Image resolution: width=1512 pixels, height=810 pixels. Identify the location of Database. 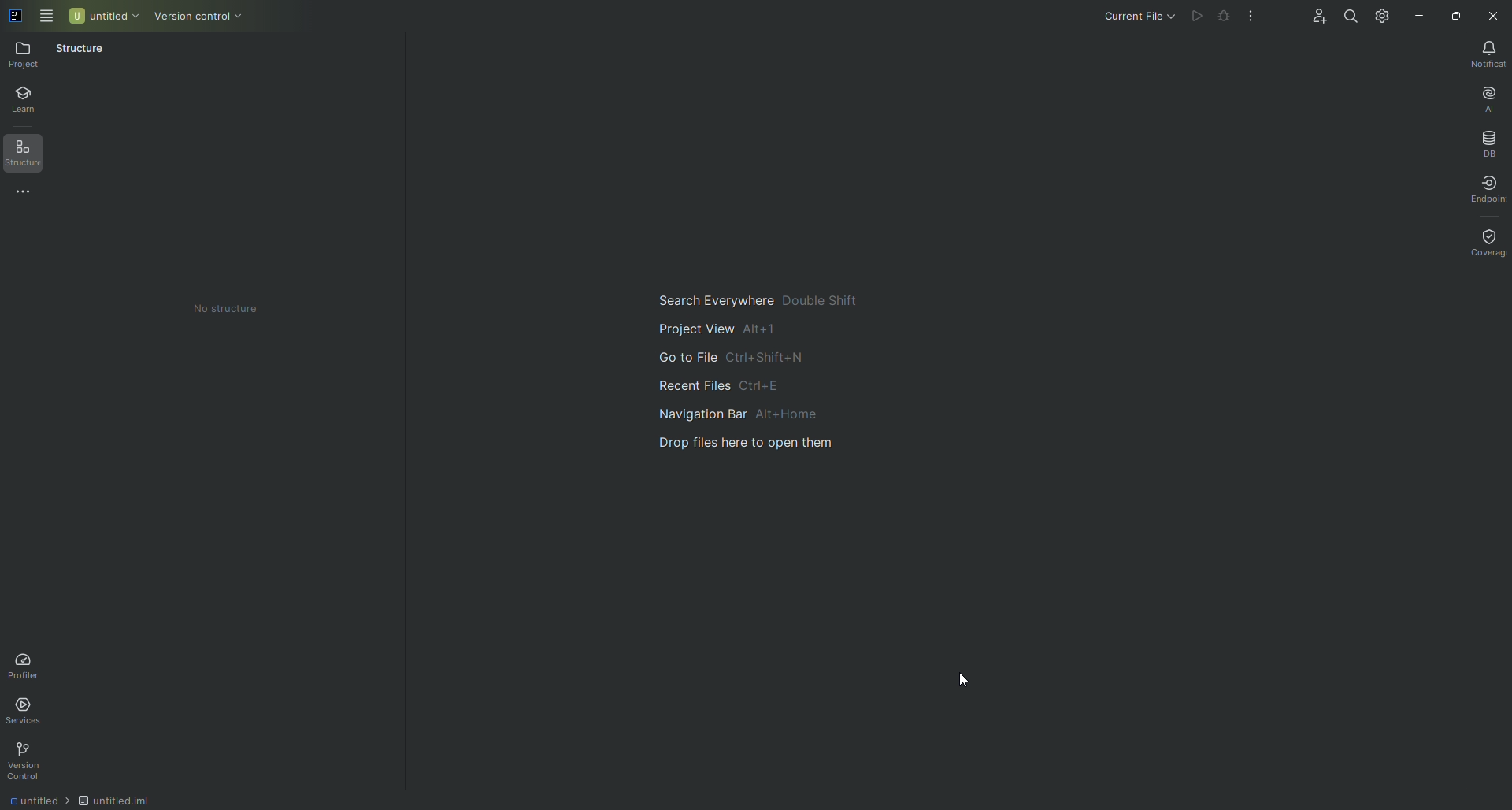
(1488, 142).